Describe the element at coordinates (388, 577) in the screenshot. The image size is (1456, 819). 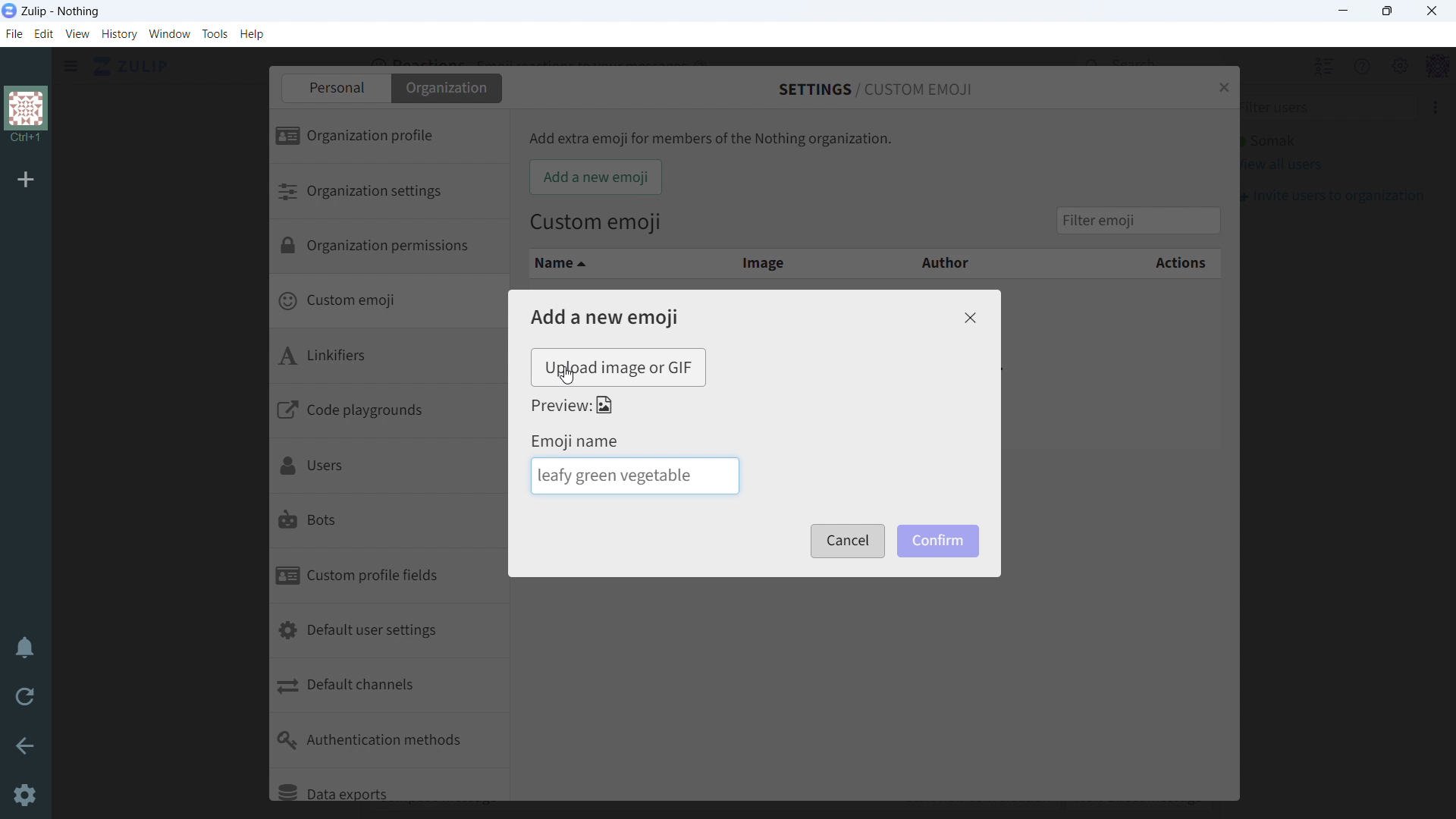
I see `custom profile fields` at that location.